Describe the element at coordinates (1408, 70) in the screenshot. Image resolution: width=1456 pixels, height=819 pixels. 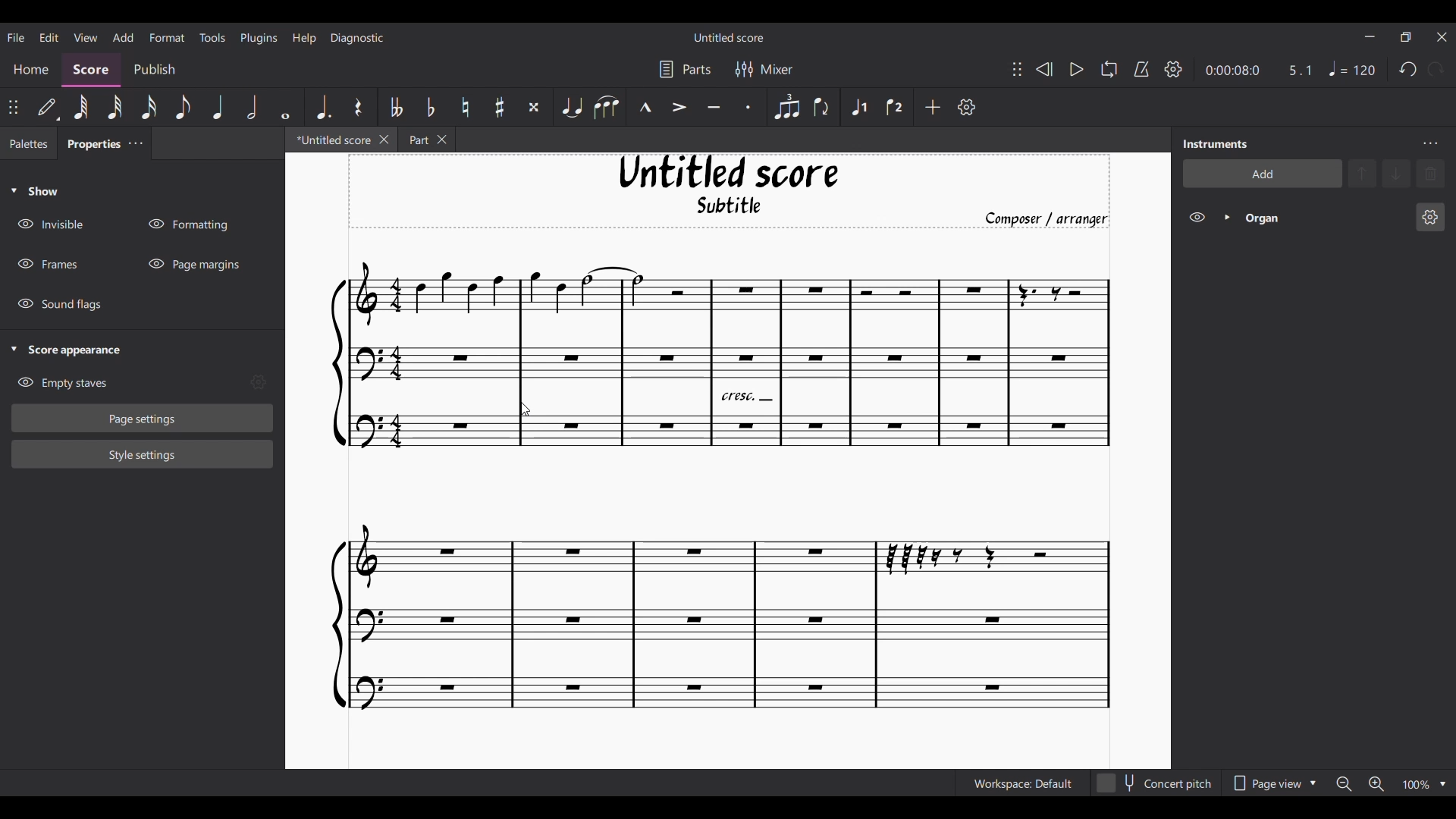
I see `Undo` at that location.